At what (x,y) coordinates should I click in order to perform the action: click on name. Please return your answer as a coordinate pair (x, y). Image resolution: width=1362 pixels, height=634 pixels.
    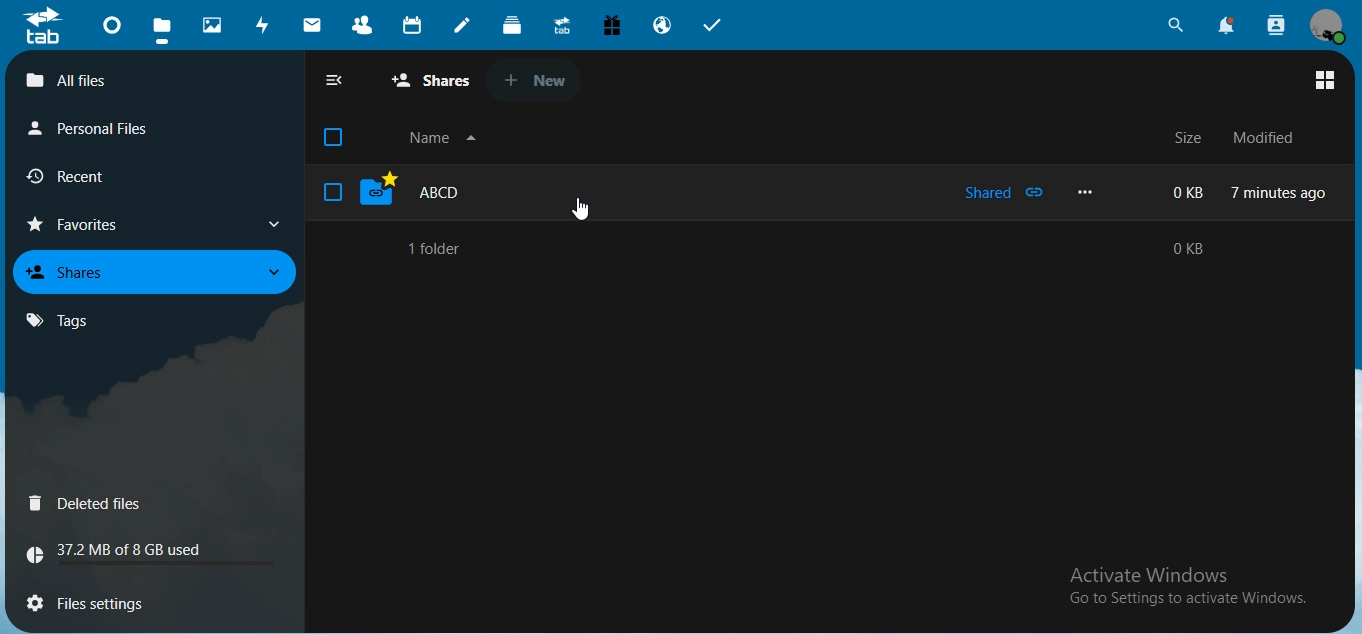
    Looking at the image, I should click on (447, 139).